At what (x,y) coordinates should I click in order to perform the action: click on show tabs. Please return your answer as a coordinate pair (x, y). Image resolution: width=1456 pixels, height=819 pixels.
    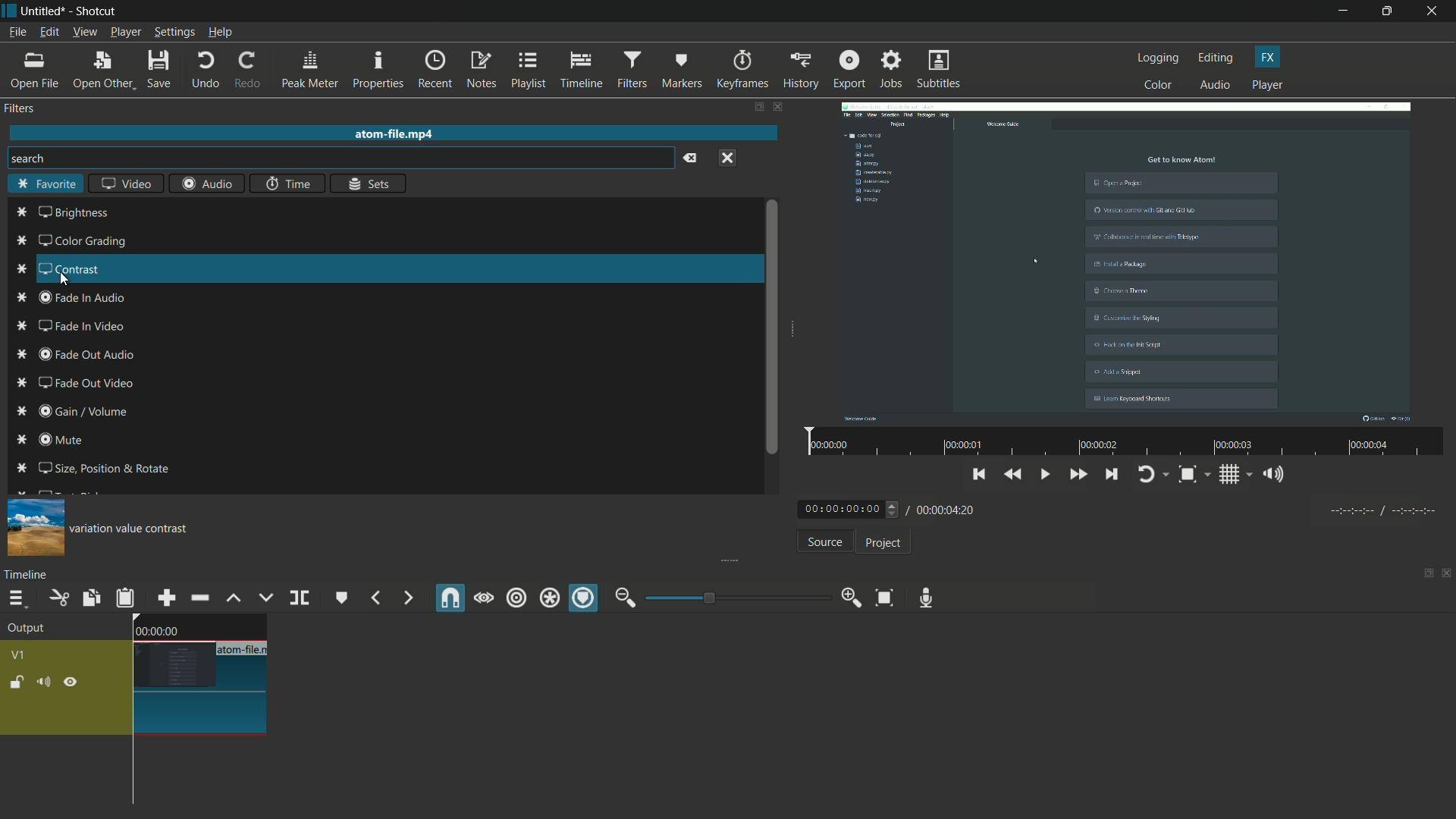
    Looking at the image, I should click on (758, 108).